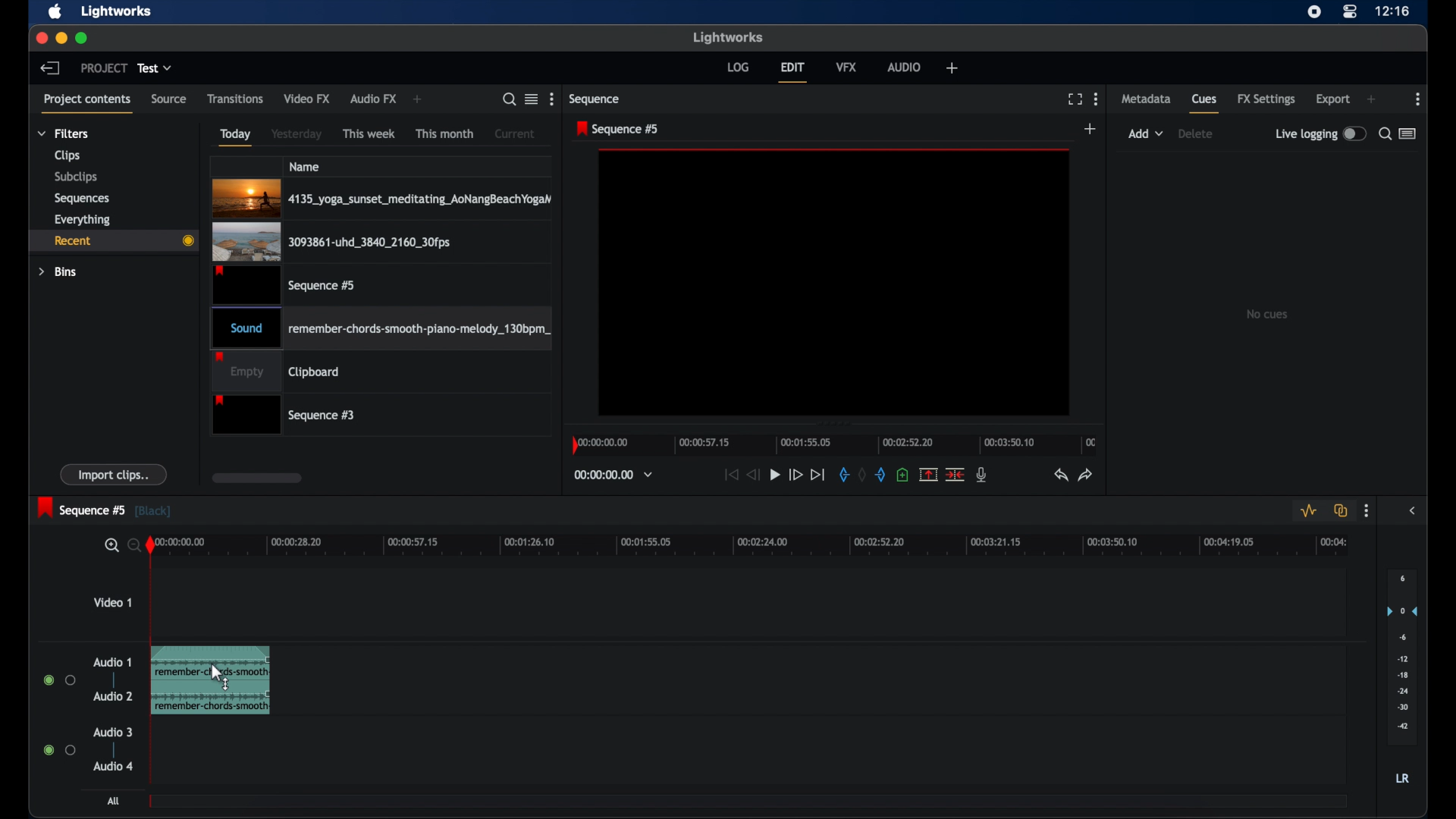 The width and height of the screenshot is (1456, 819). Describe the element at coordinates (82, 199) in the screenshot. I see `sequencies` at that location.